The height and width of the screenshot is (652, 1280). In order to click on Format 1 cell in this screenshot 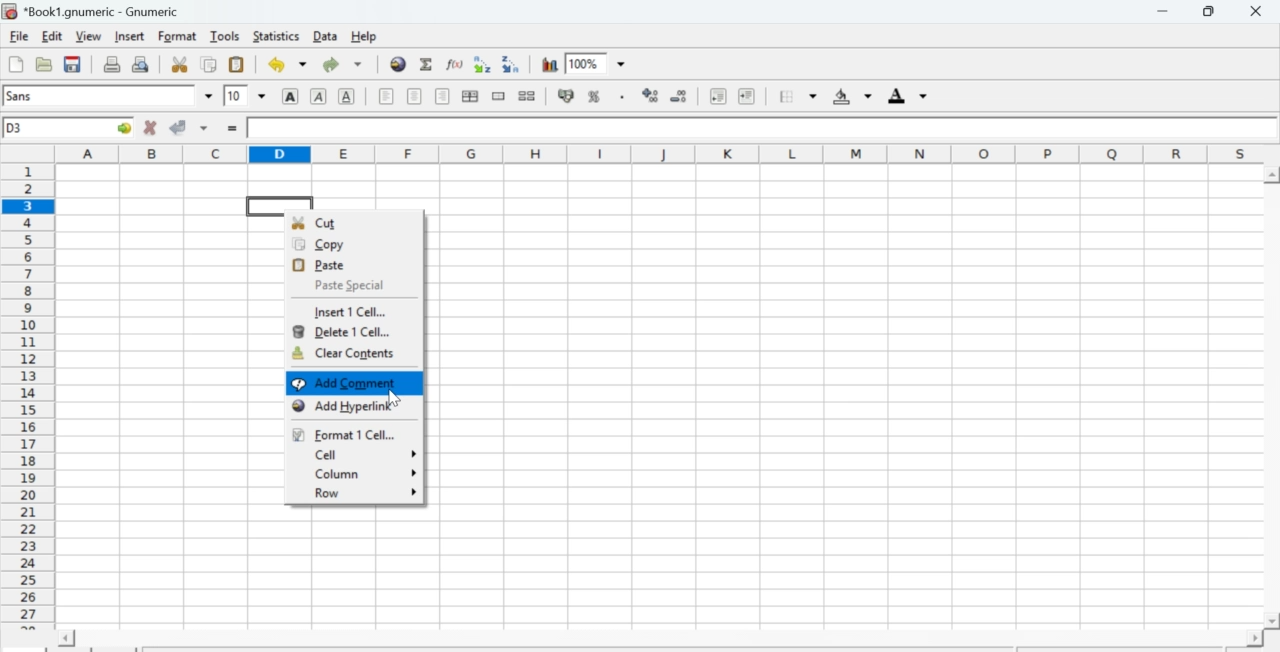, I will do `click(346, 435)`.